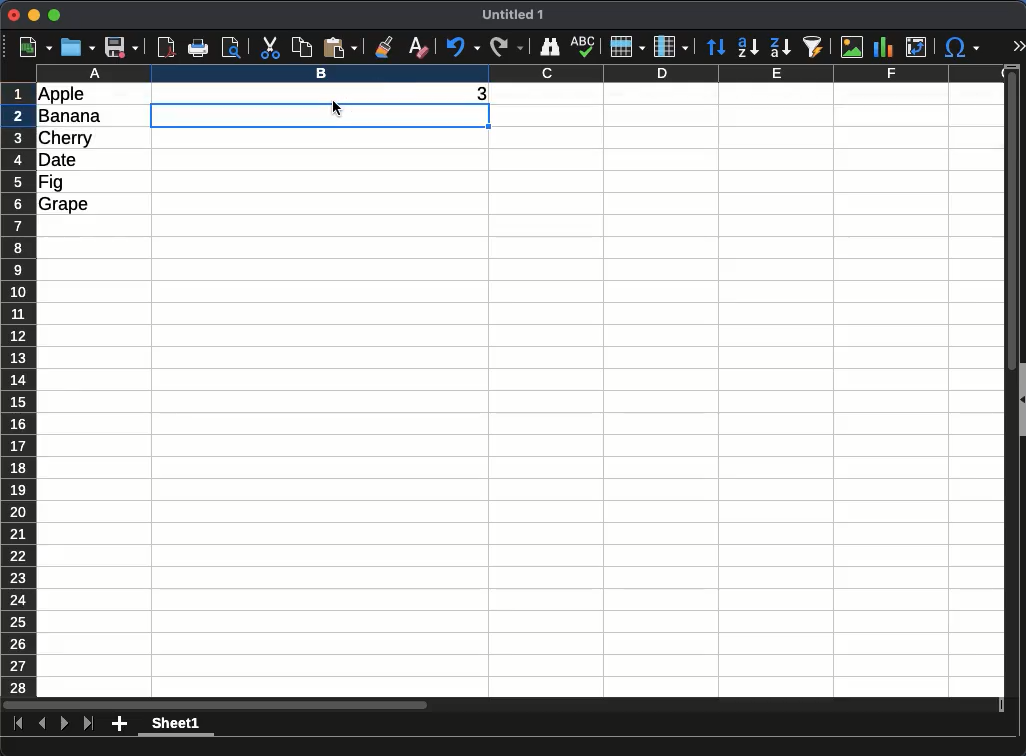 This screenshot has height=756, width=1026. I want to click on next sheet, so click(65, 724).